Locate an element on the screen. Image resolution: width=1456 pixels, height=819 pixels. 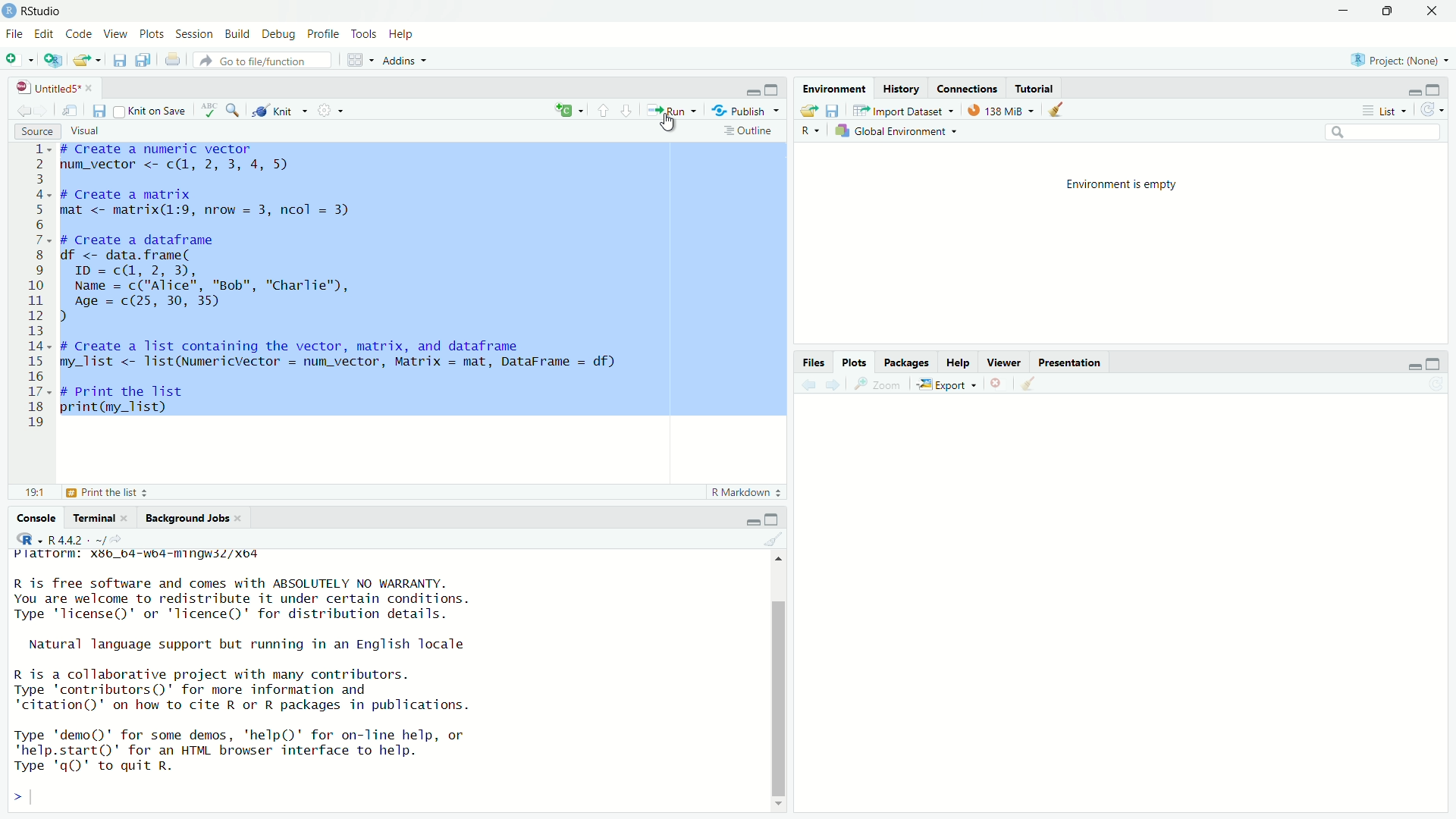
refresh is located at coordinates (1432, 108).